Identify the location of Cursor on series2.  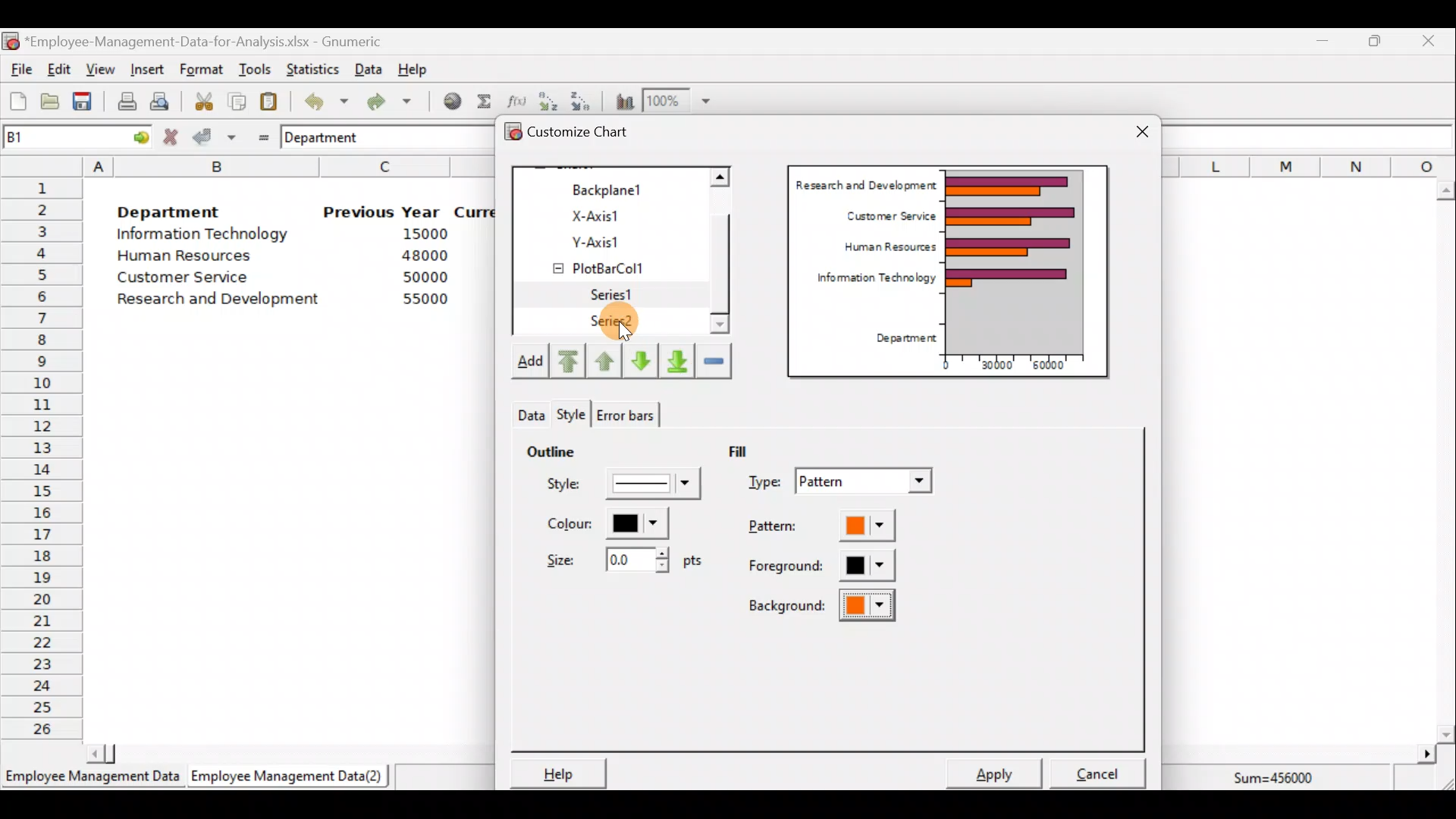
(651, 324).